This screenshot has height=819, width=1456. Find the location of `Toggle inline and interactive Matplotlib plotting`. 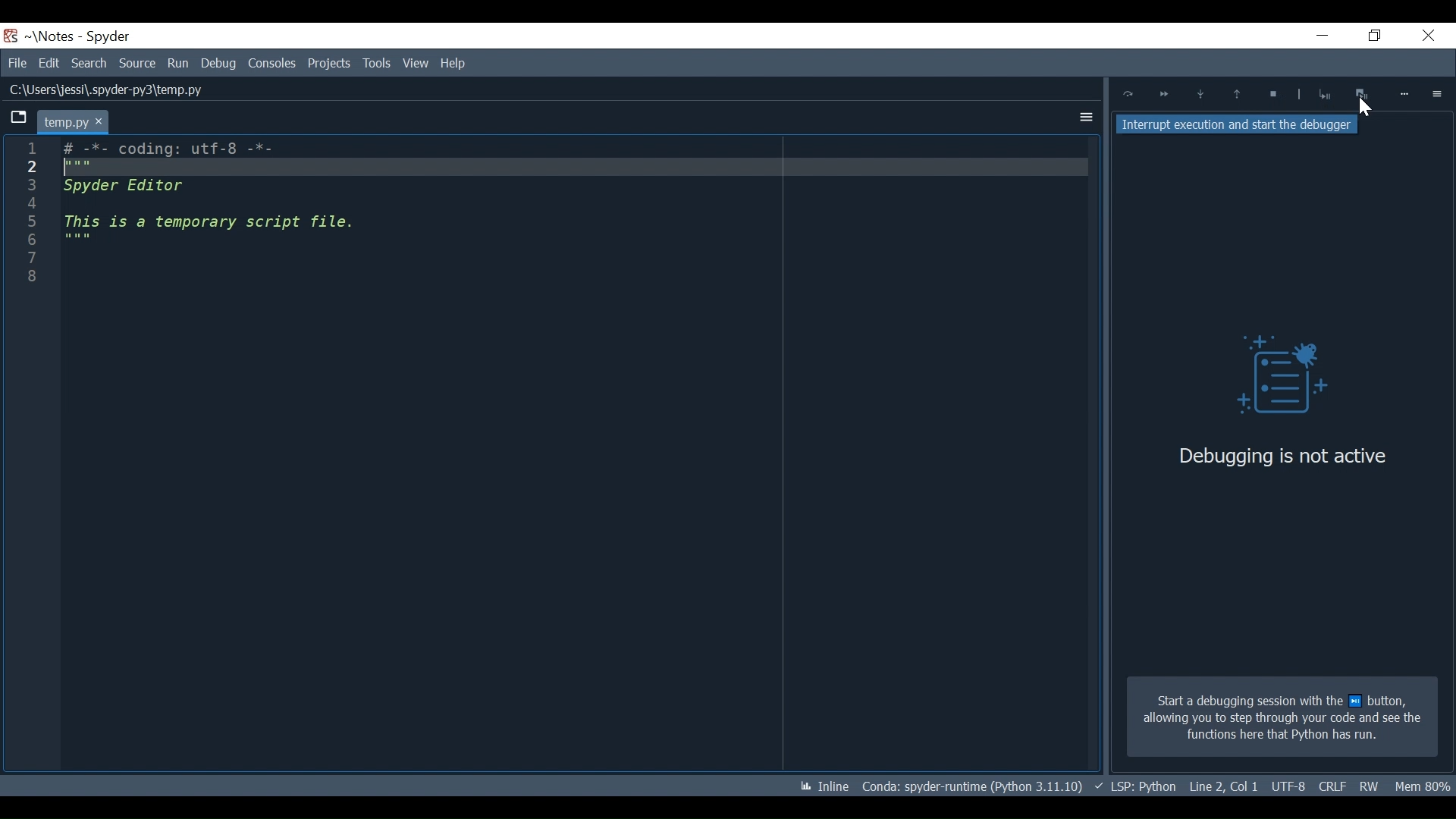

Toggle inline and interactive Matplotlib plotting is located at coordinates (824, 786).